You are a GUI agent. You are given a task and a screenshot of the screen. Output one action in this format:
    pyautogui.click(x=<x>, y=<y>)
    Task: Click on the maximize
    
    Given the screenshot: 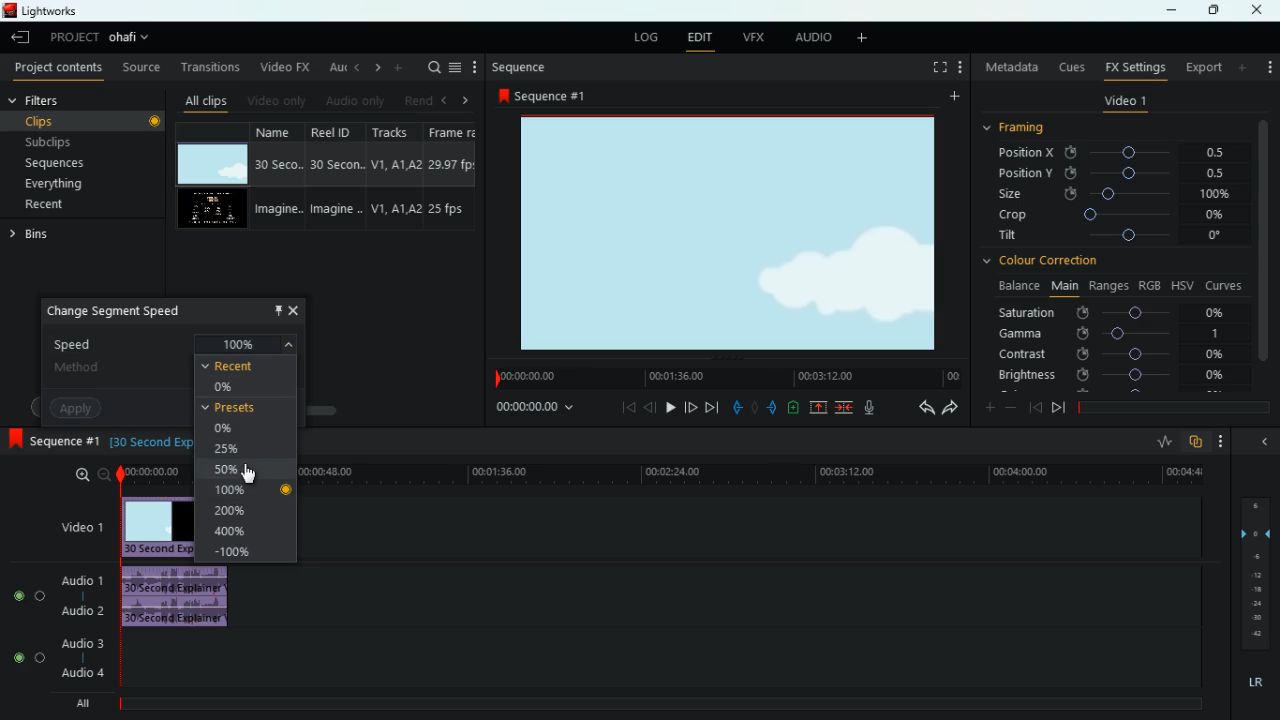 What is the action you would take?
    pyautogui.click(x=1210, y=11)
    